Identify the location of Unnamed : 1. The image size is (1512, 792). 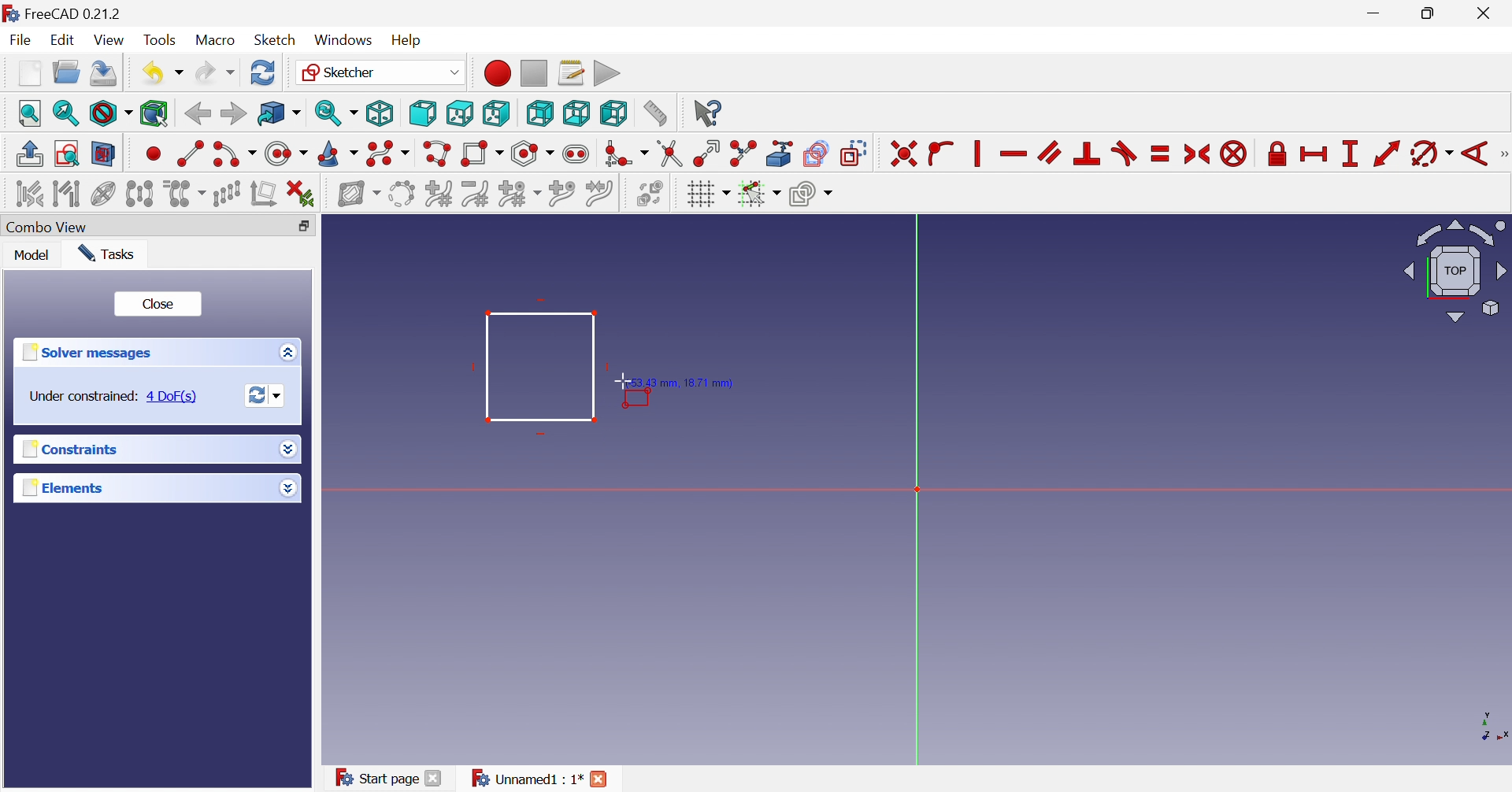
(524, 779).